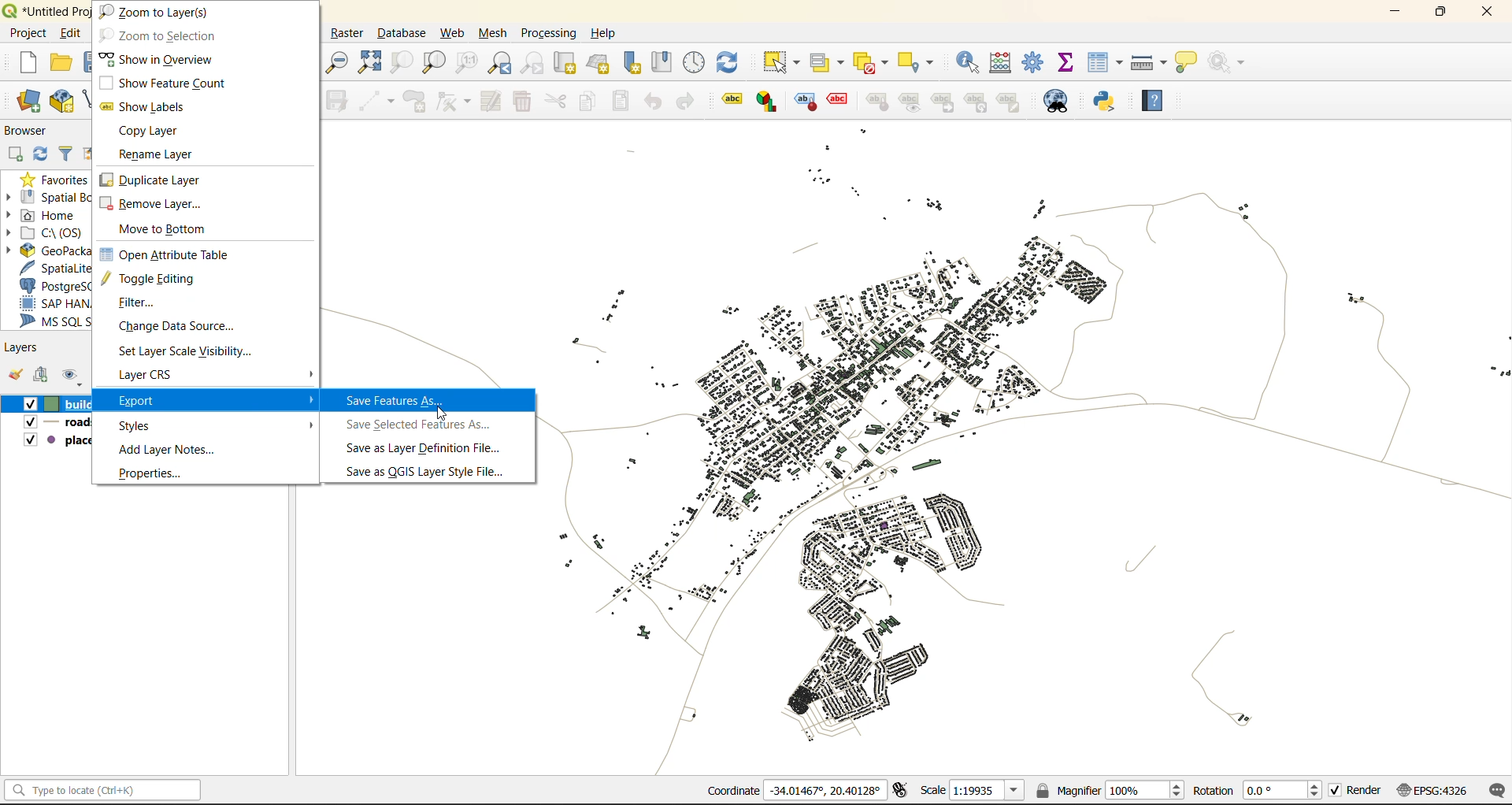  I want to click on move a label and diagram, so click(939, 103).